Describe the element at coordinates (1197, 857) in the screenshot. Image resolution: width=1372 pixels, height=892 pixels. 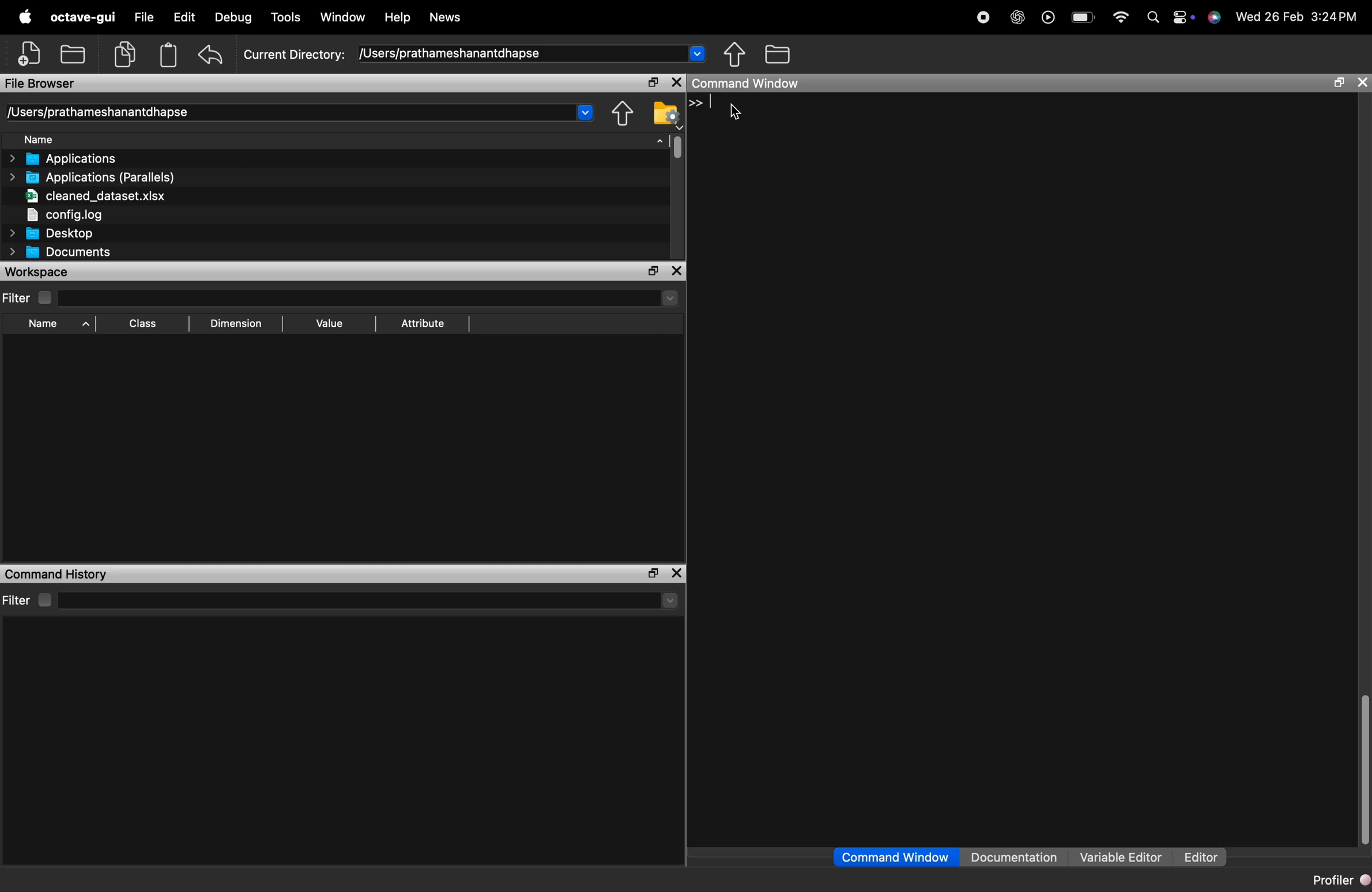
I see `Editor` at that location.